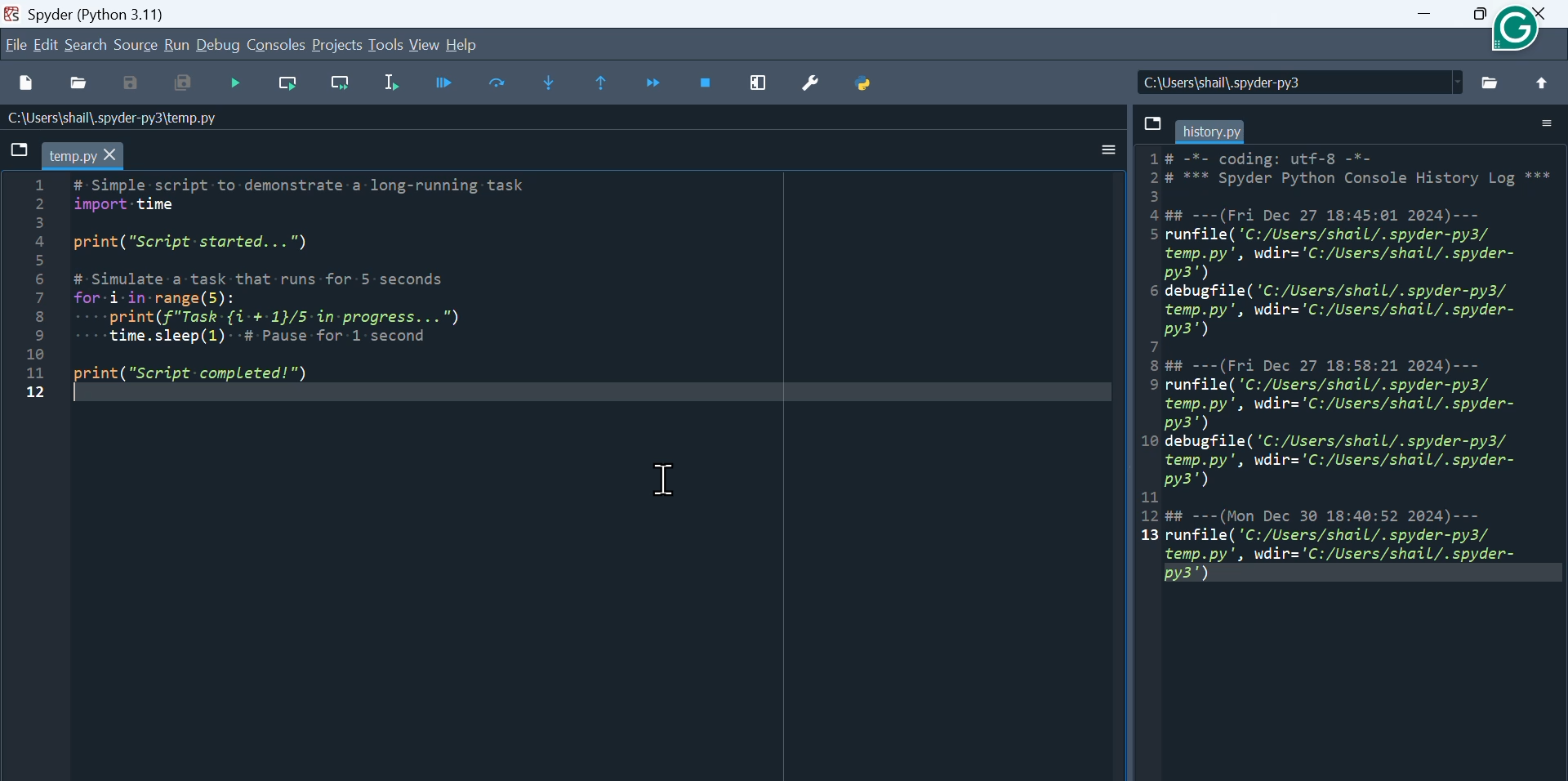 The width and height of the screenshot is (1568, 781). I want to click on Tools, so click(387, 47).